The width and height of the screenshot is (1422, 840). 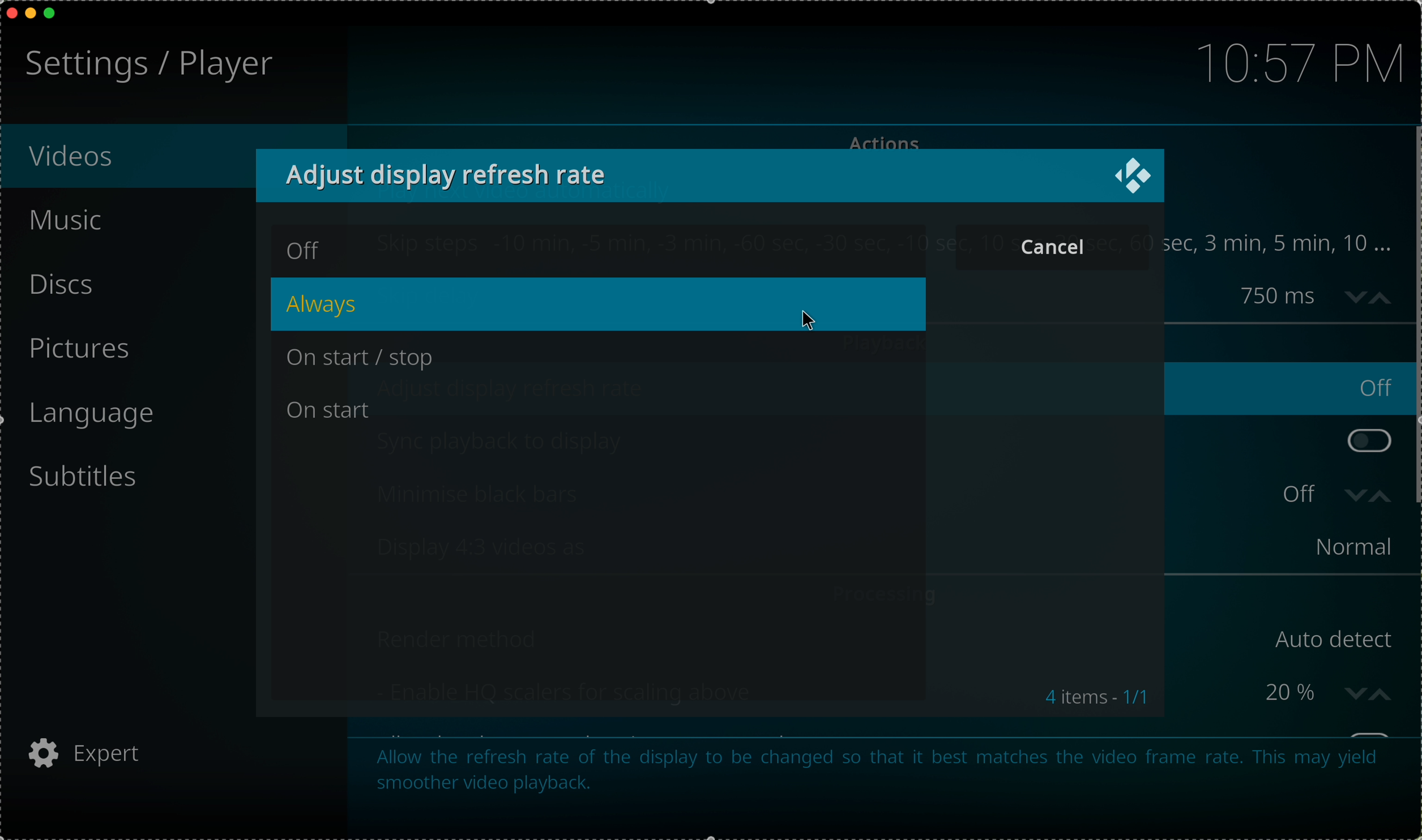 What do you see at coordinates (104, 416) in the screenshot?
I see `language` at bounding box center [104, 416].